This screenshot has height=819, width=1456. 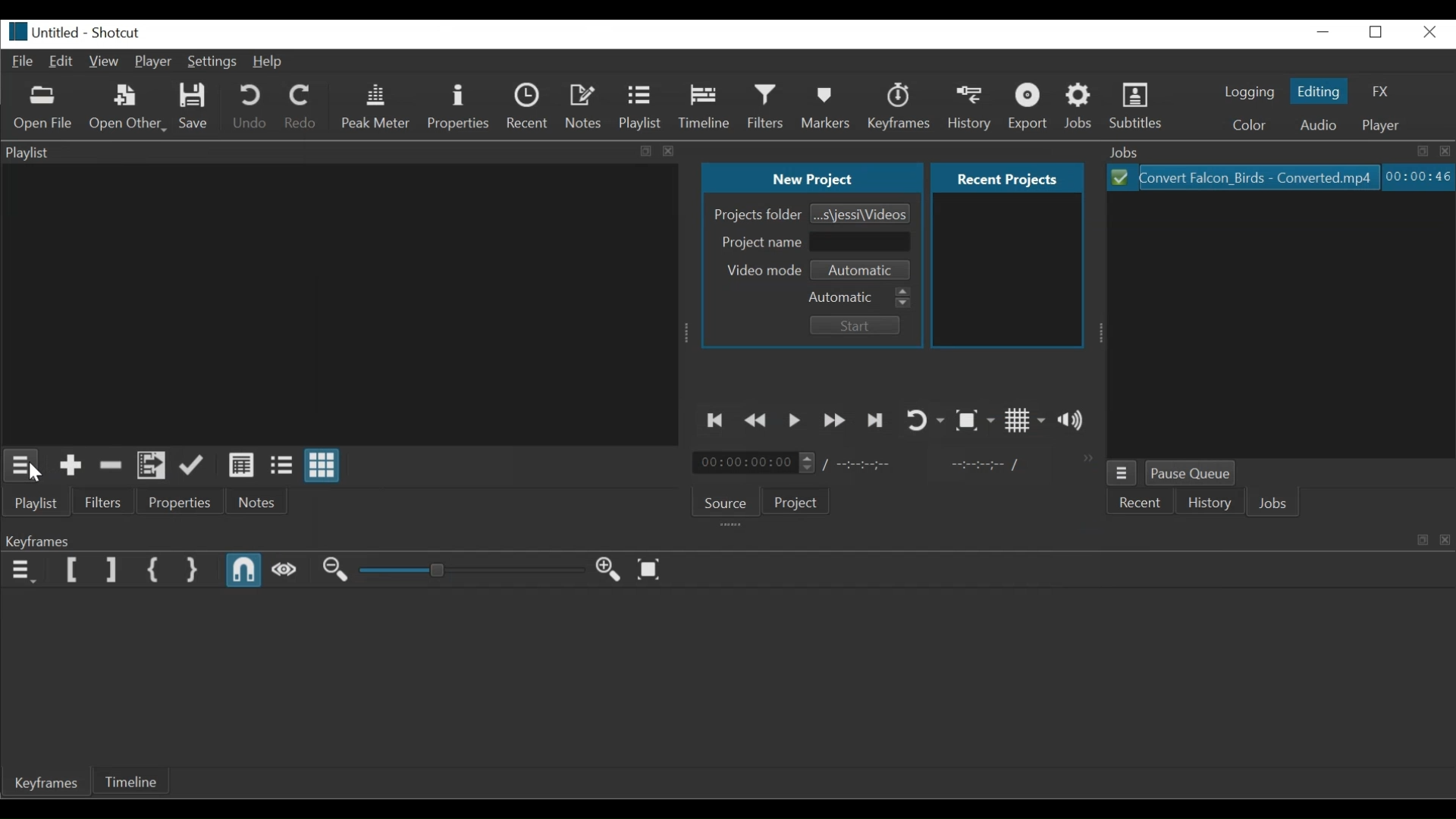 What do you see at coordinates (1138, 106) in the screenshot?
I see `Subtitles` at bounding box center [1138, 106].